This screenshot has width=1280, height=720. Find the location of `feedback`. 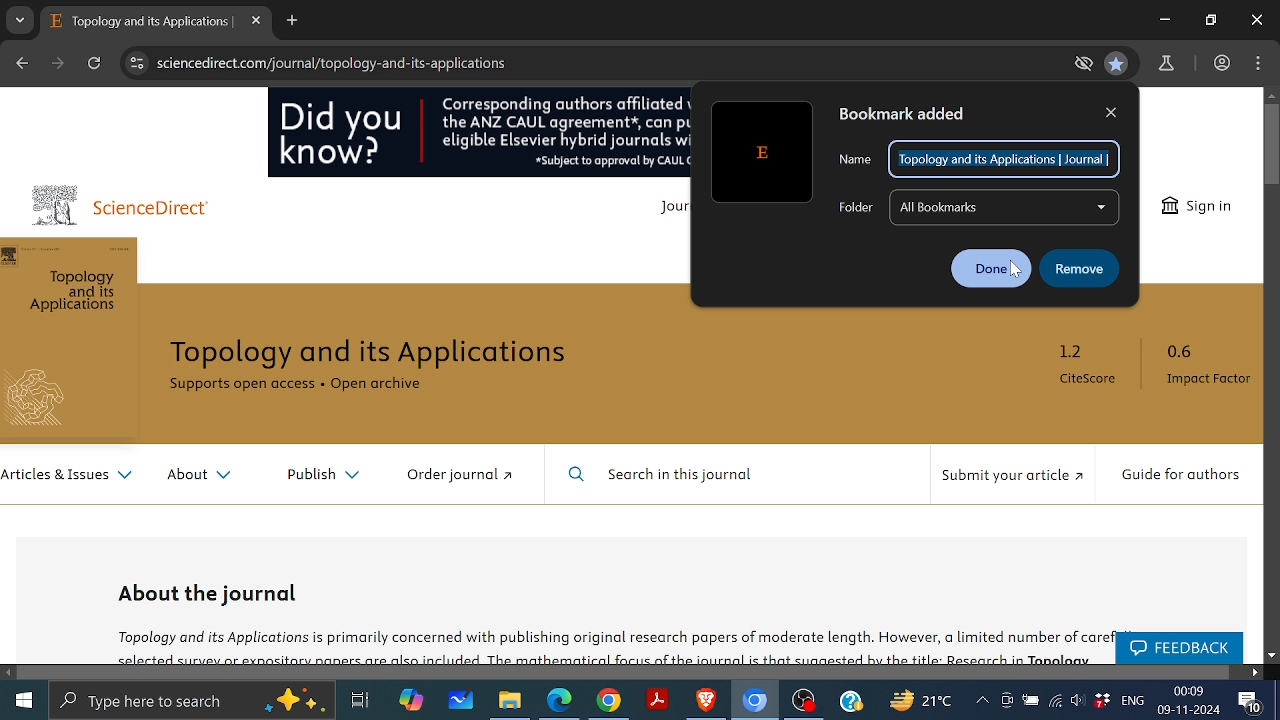

feedback is located at coordinates (1177, 649).